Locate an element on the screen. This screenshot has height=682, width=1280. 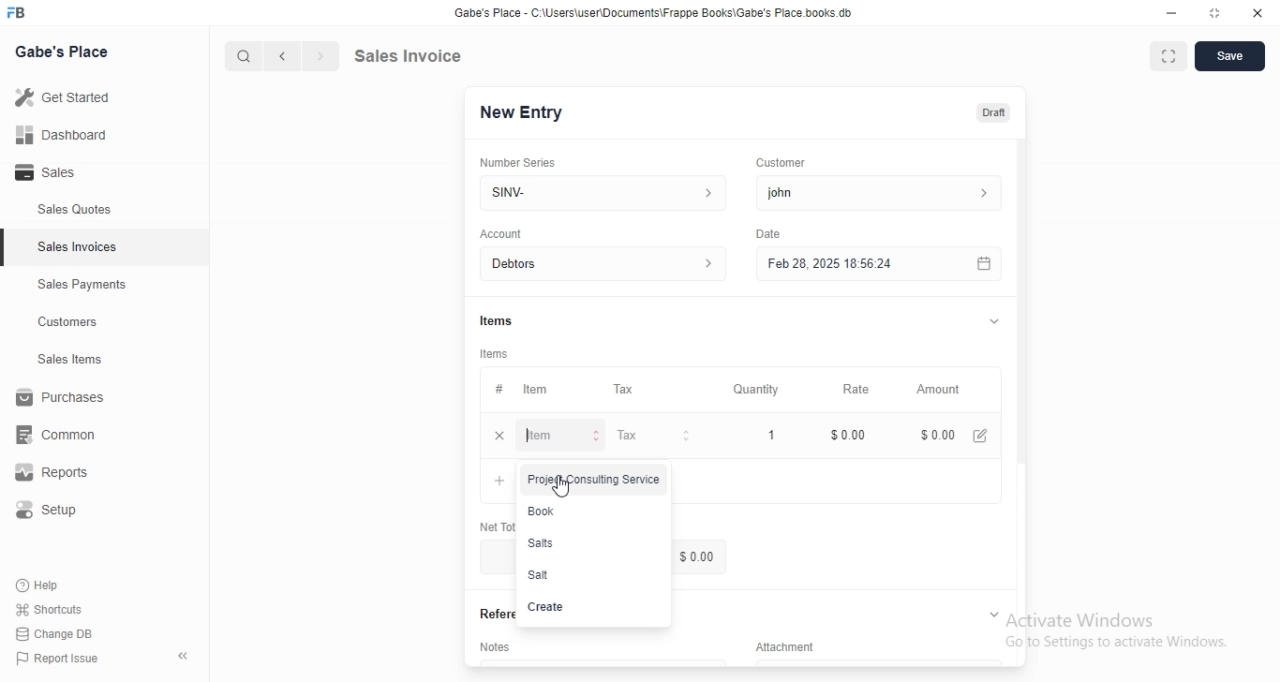
Account is located at coordinates (607, 264).